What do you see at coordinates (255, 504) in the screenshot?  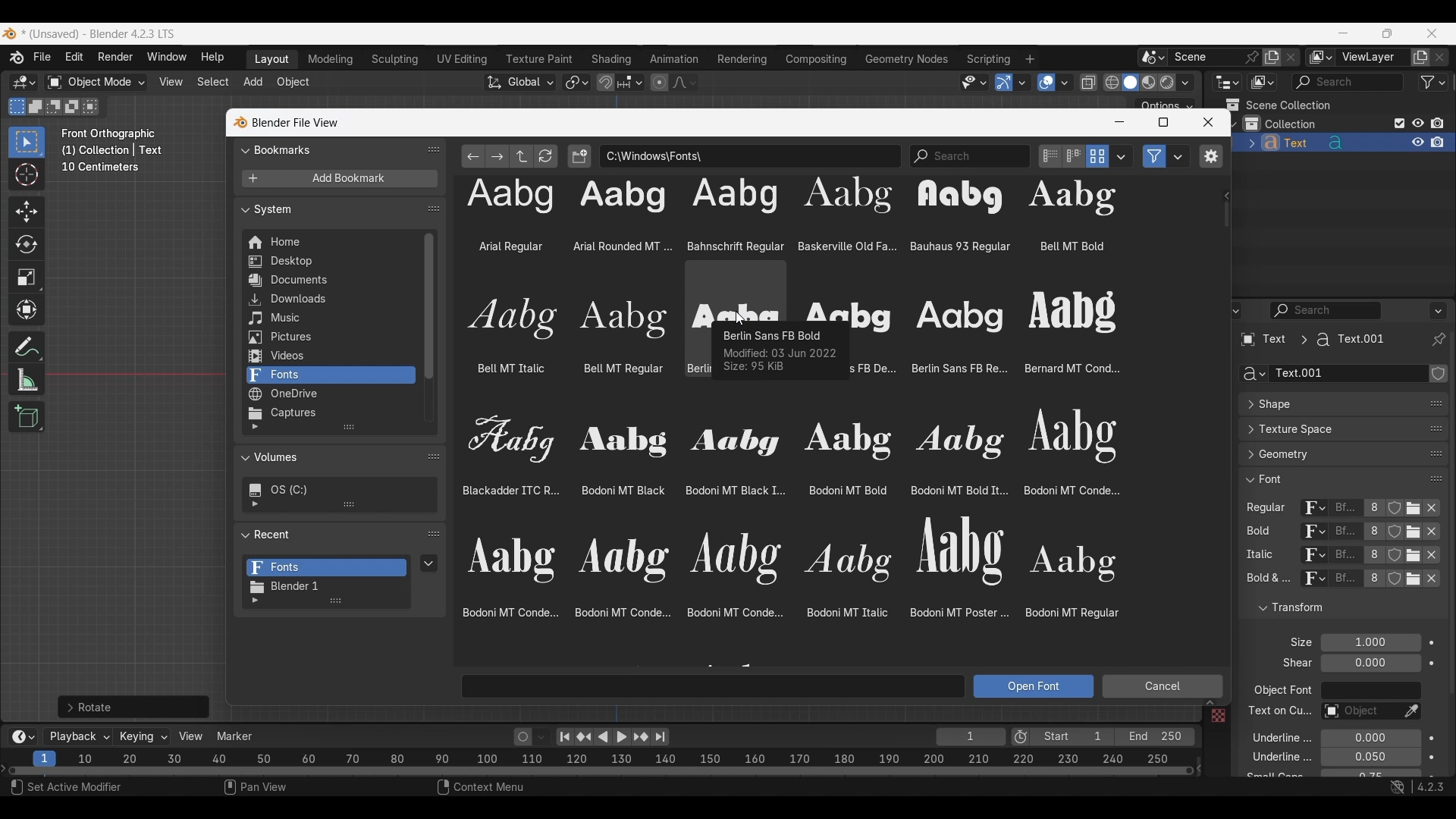 I see `Show filtering options` at bounding box center [255, 504].